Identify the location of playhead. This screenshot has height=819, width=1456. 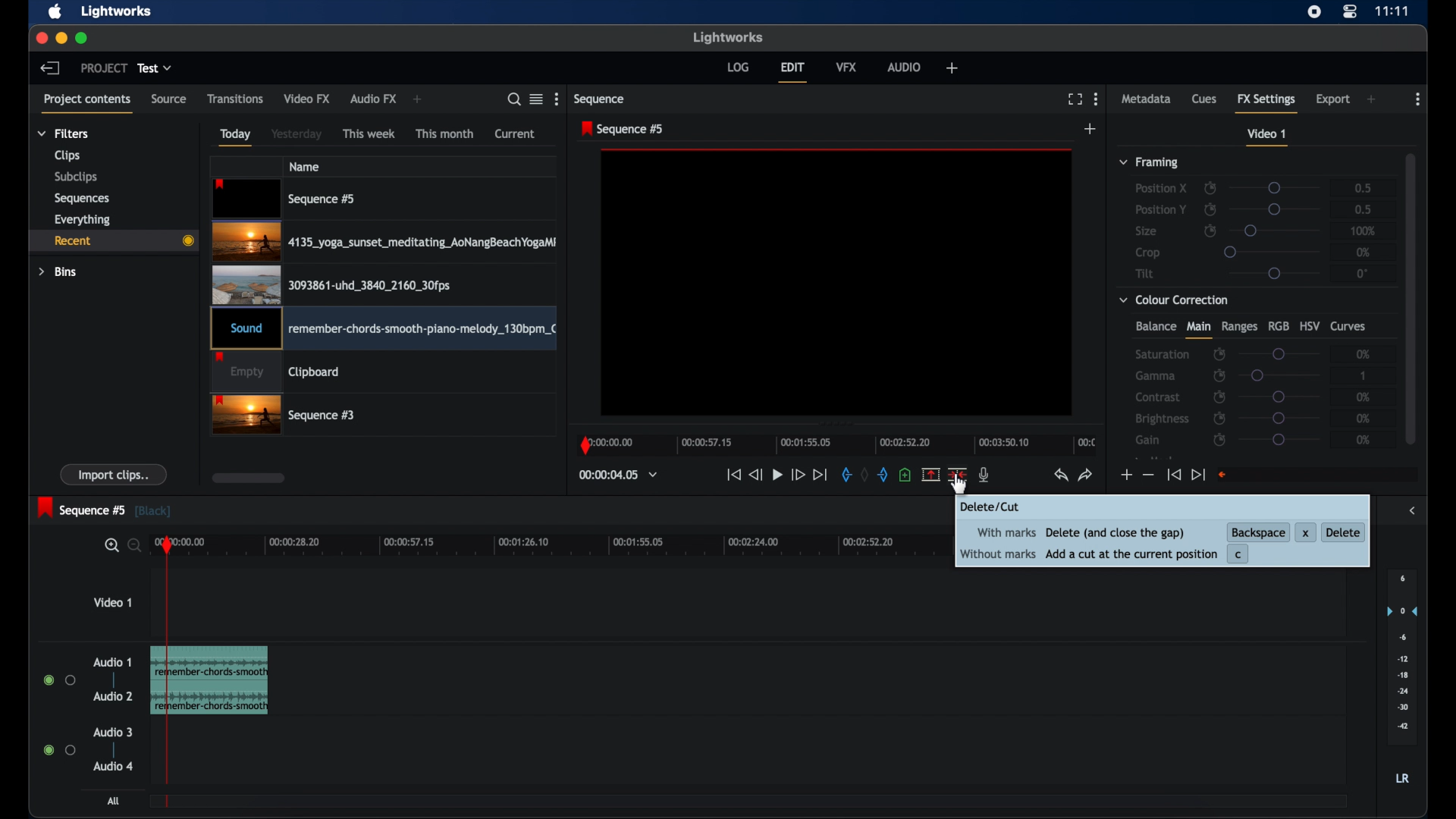
(168, 667).